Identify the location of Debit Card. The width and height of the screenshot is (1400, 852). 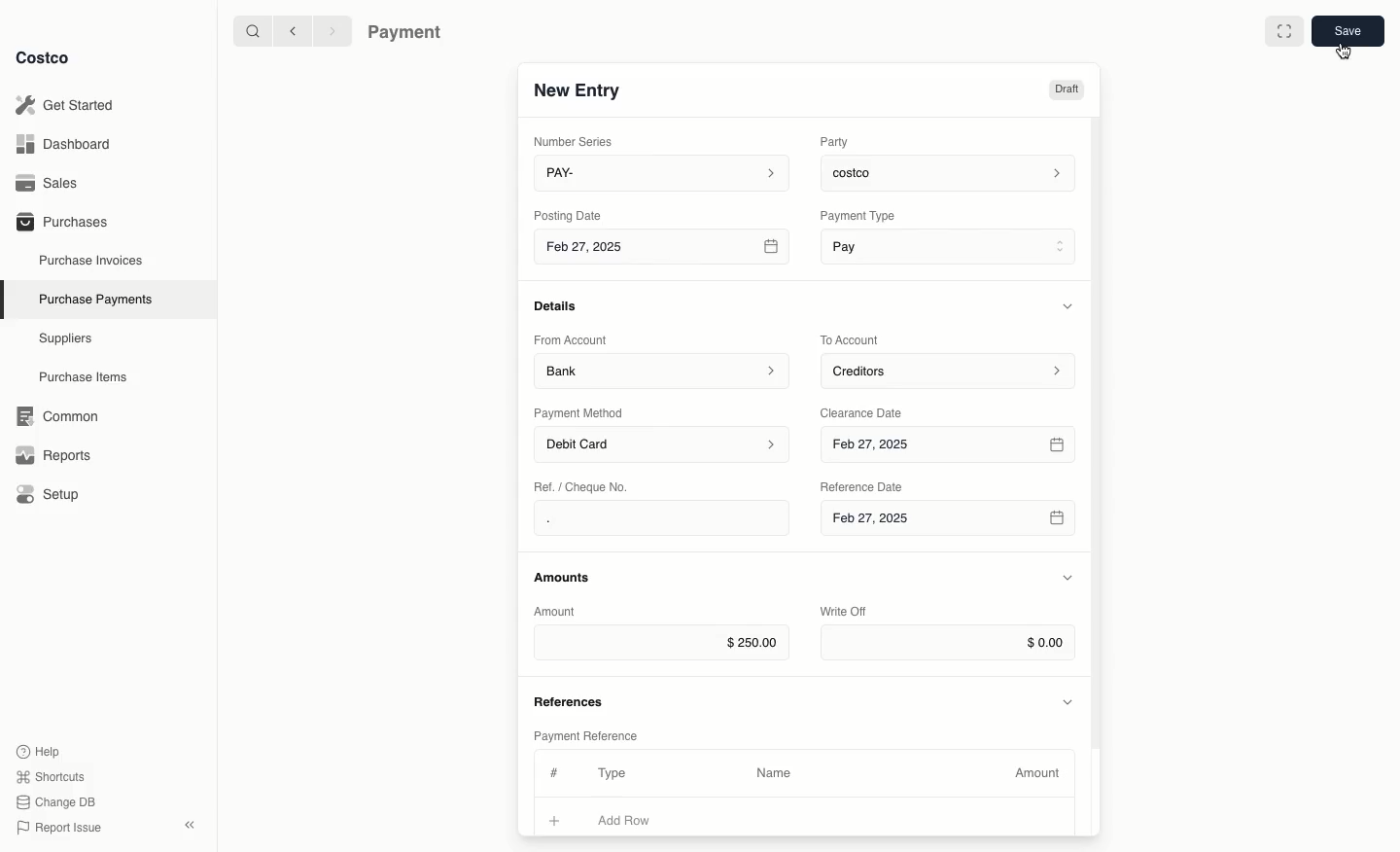
(663, 445).